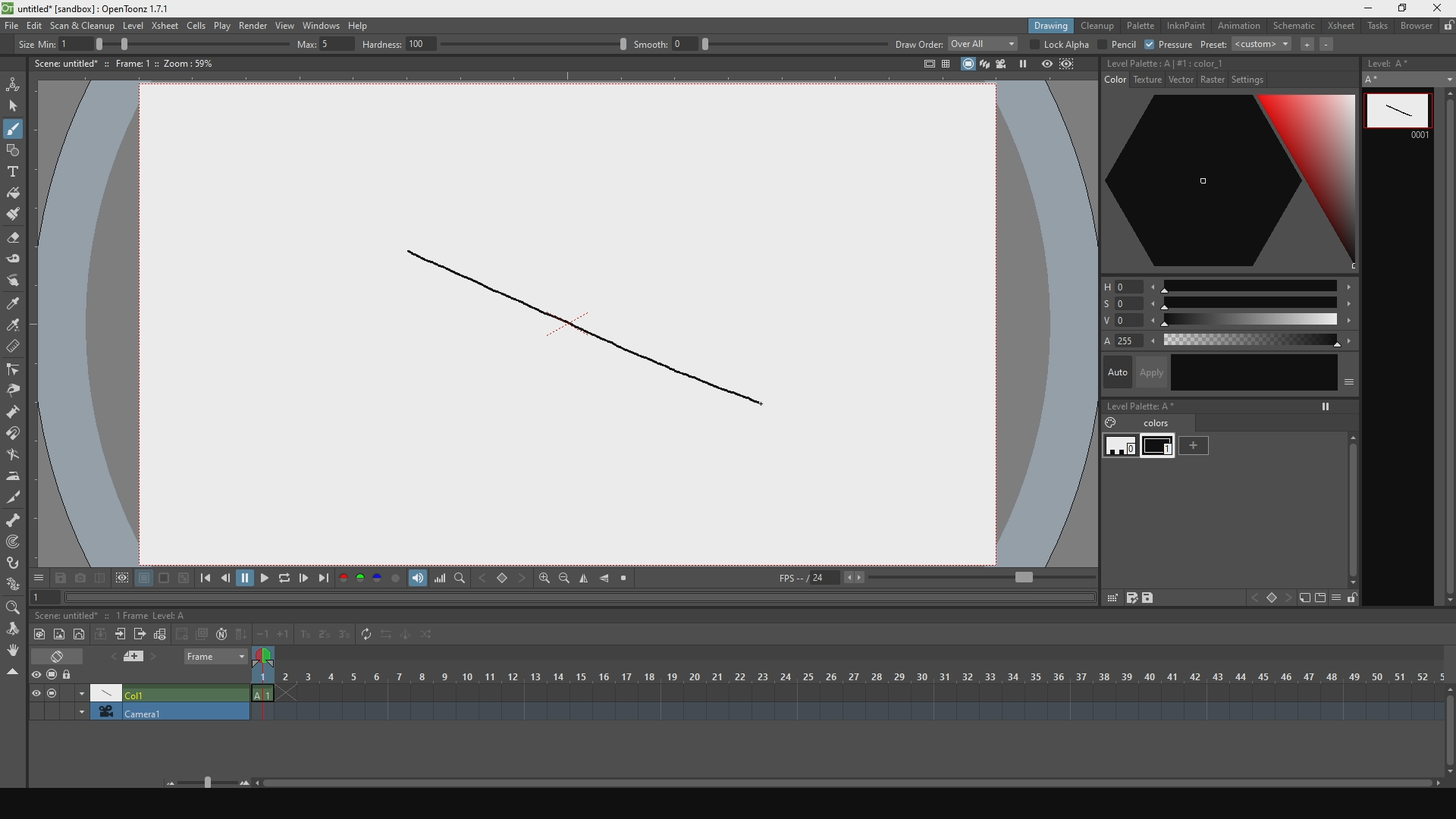  I want to click on plastic, so click(14, 586).